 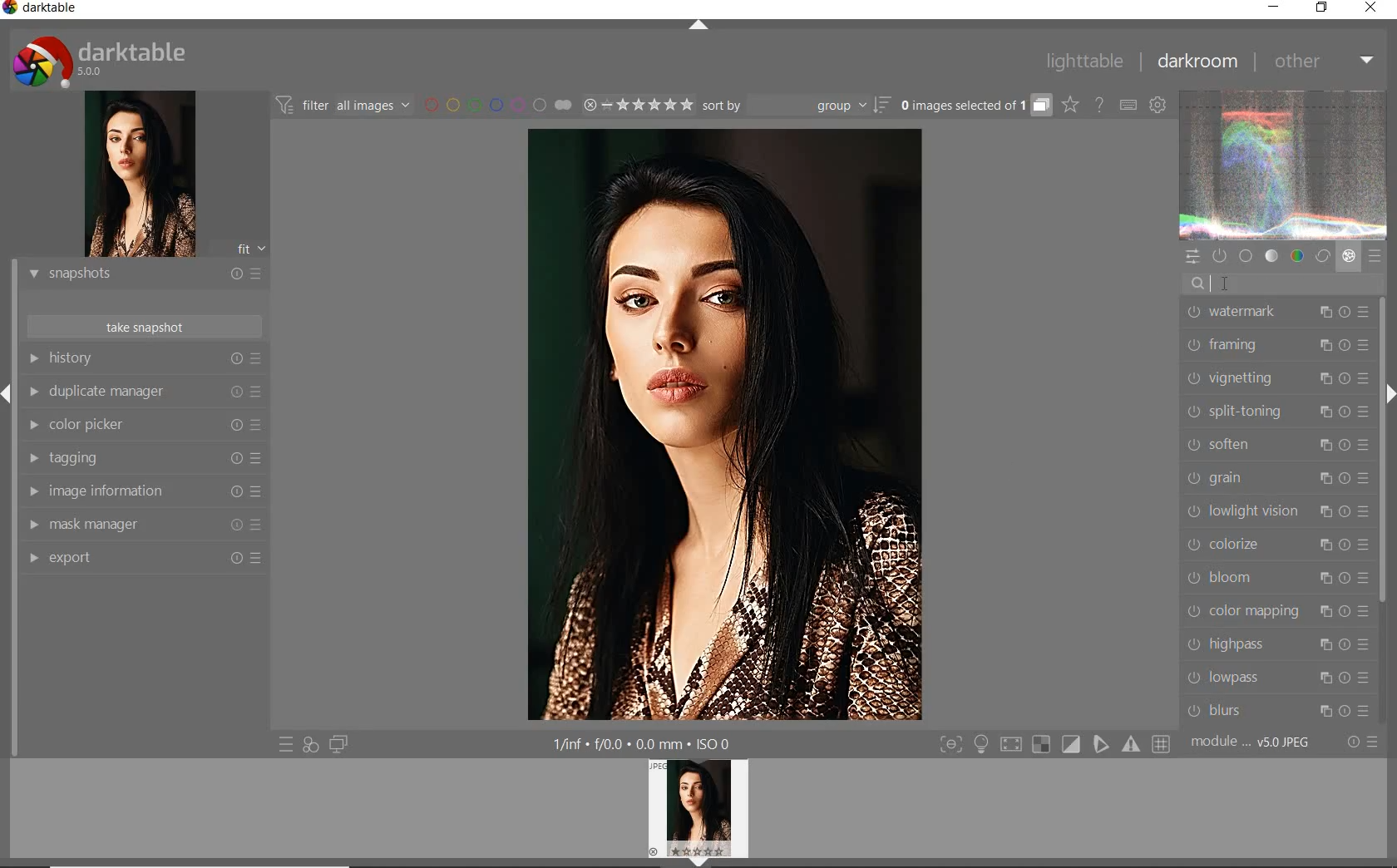 What do you see at coordinates (284, 744) in the screenshot?
I see `quick access to presets` at bounding box center [284, 744].